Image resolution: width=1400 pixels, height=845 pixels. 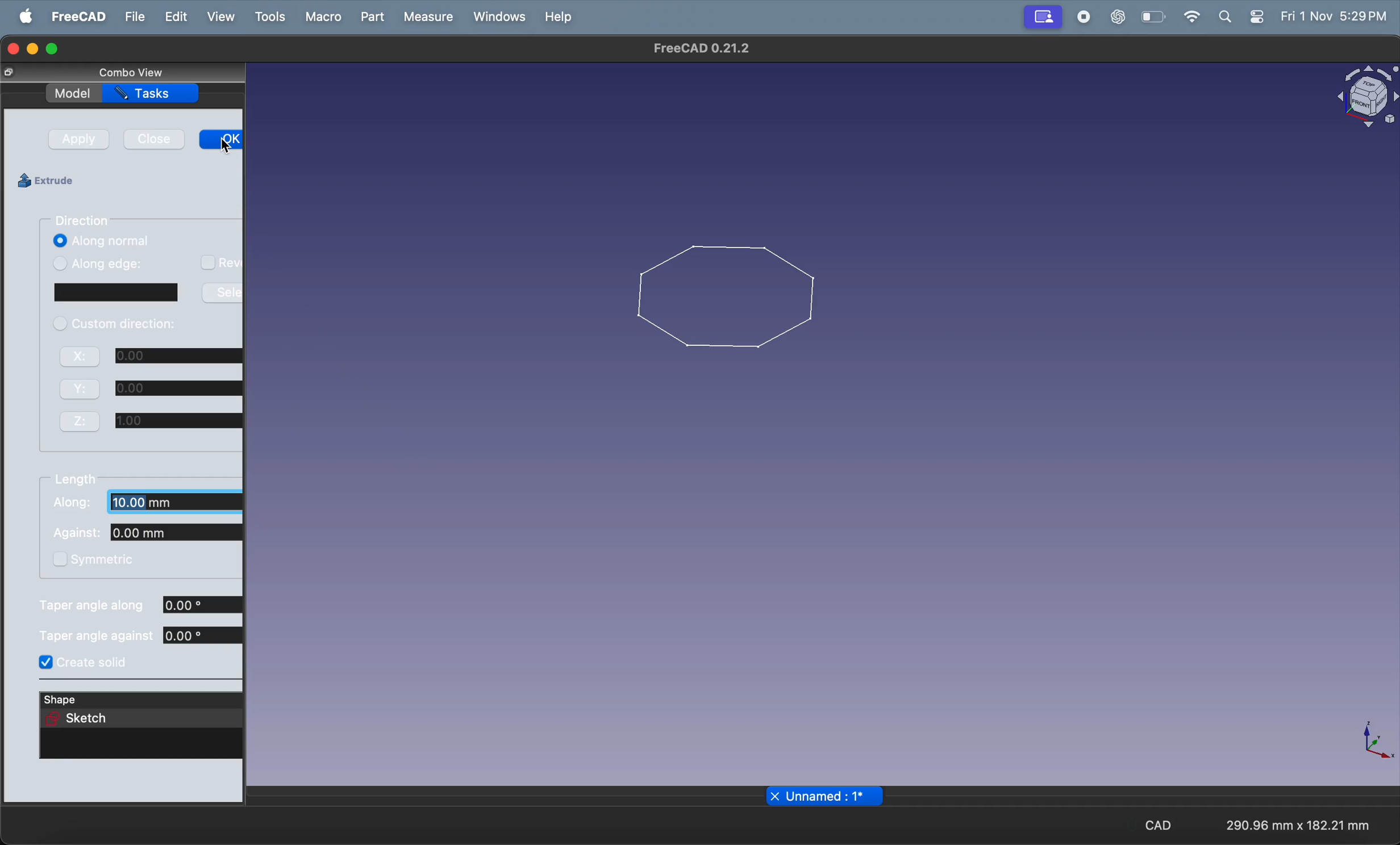 What do you see at coordinates (149, 505) in the screenshot?
I see `along` at bounding box center [149, 505].